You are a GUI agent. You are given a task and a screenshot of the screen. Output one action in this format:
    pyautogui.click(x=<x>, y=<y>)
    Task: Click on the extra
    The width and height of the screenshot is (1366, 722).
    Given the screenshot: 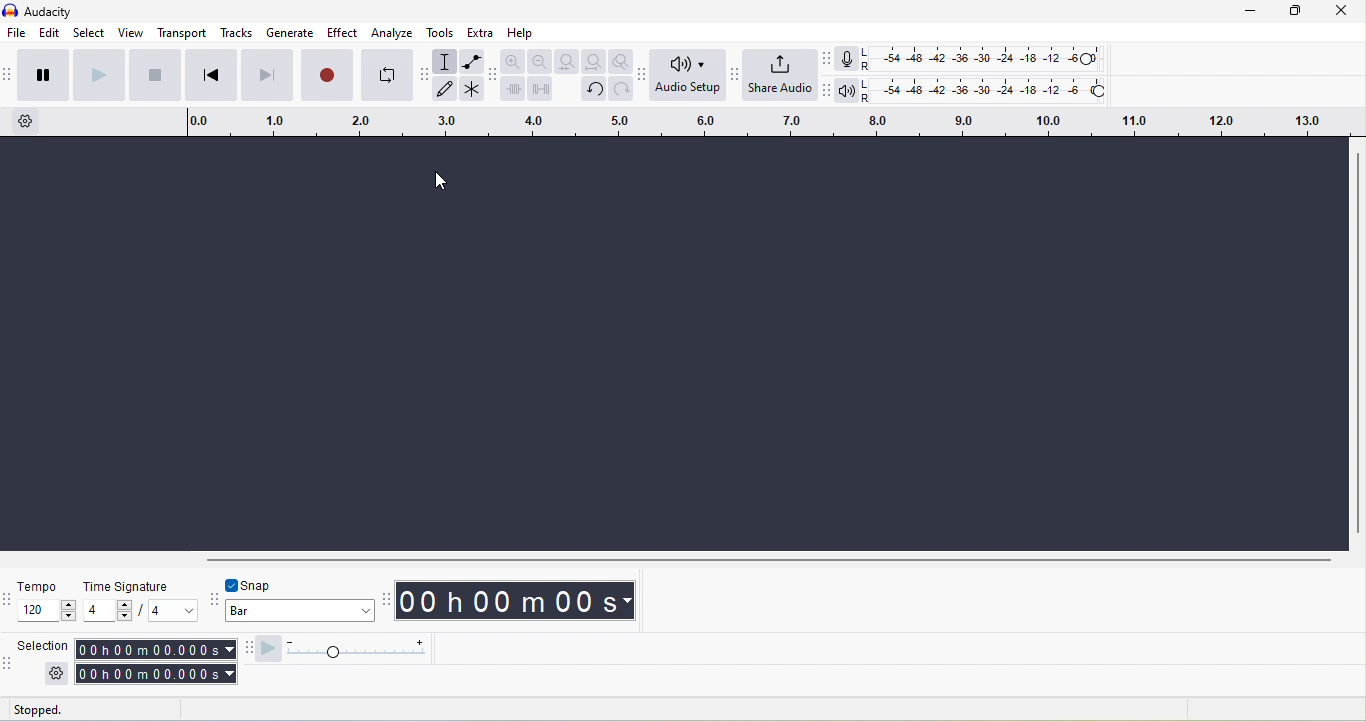 What is the action you would take?
    pyautogui.click(x=479, y=32)
    